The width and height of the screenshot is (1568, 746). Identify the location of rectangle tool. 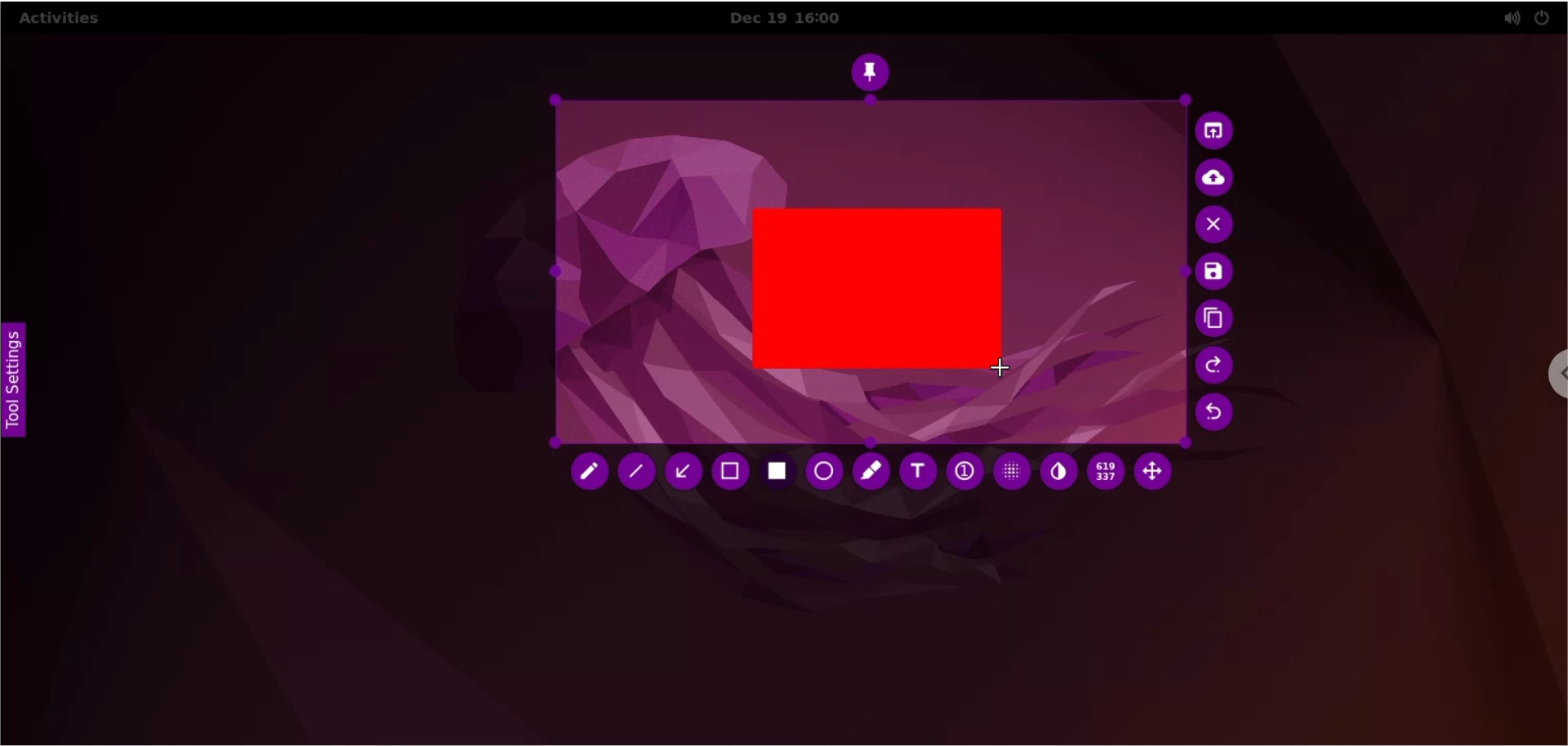
(777, 473).